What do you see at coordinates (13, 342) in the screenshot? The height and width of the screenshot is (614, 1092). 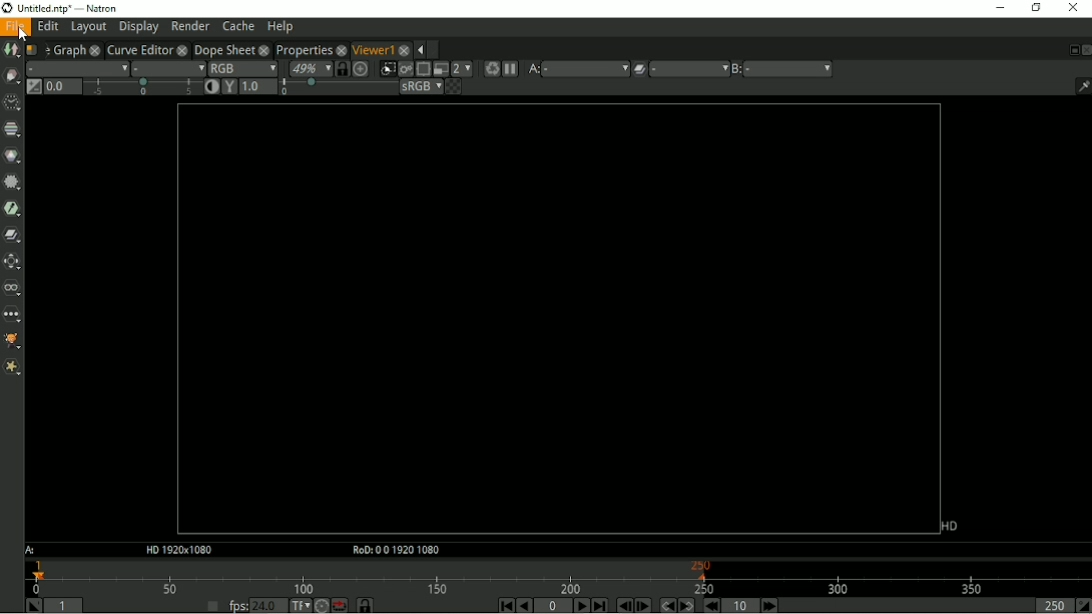 I see `GMIC` at bounding box center [13, 342].